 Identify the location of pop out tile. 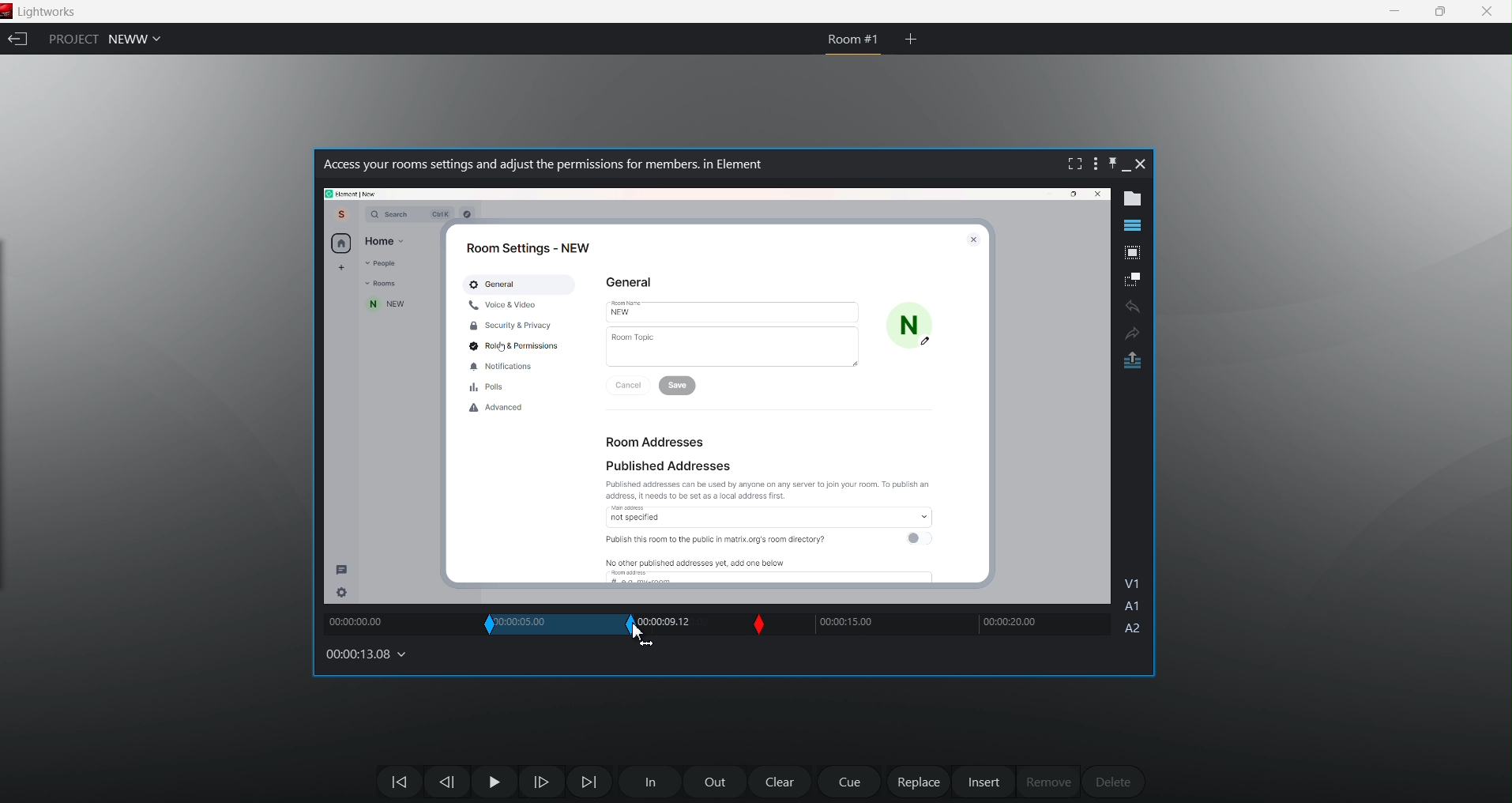
(1134, 252).